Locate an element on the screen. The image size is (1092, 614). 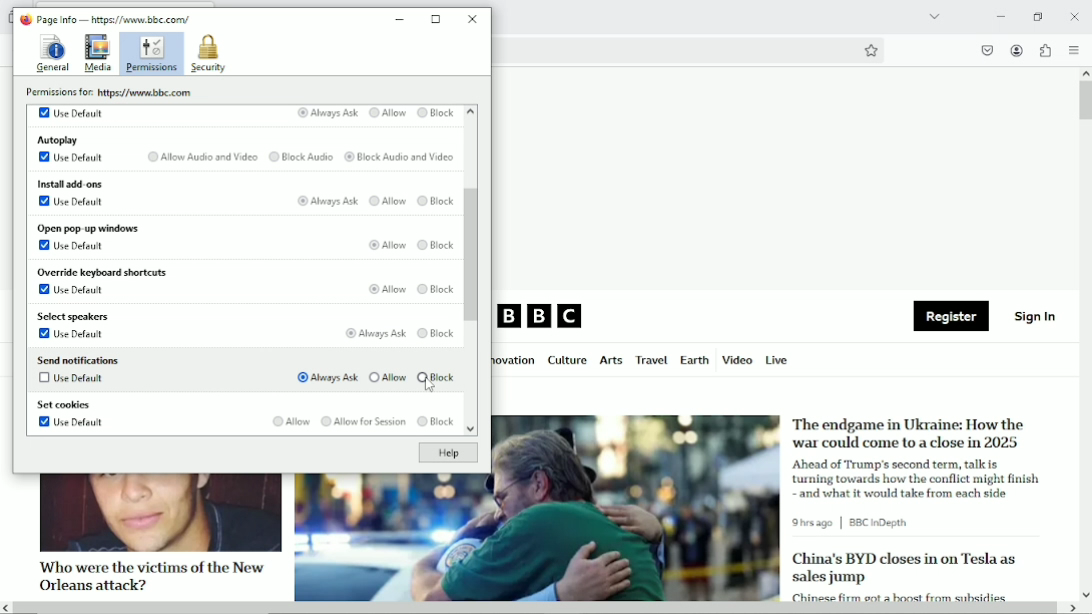
Set cookies is located at coordinates (64, 406).